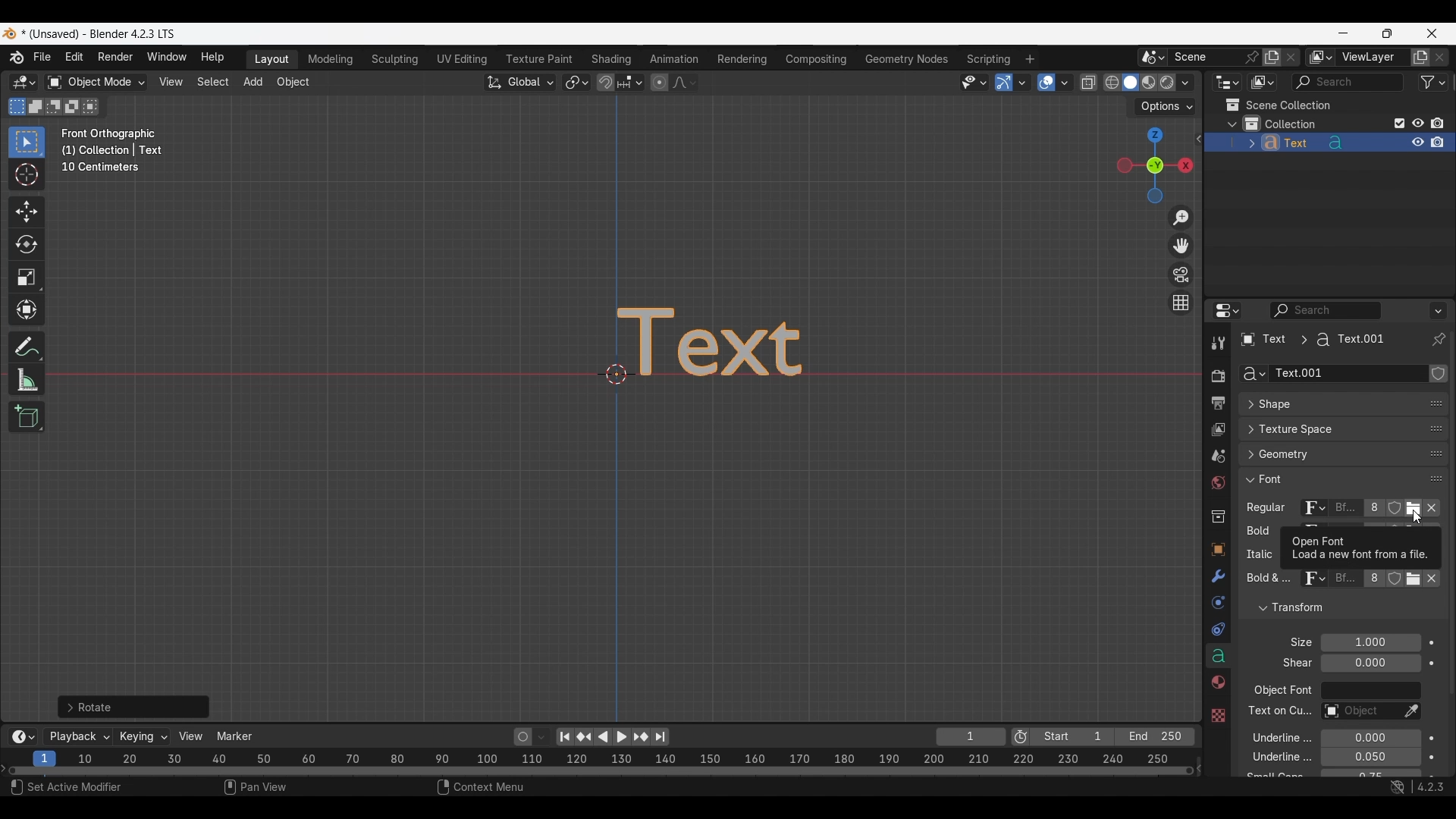 Image resolution: width=1456 pixels, height=819 pixels. I want to click on Disable in renders, so click(1437, 123).